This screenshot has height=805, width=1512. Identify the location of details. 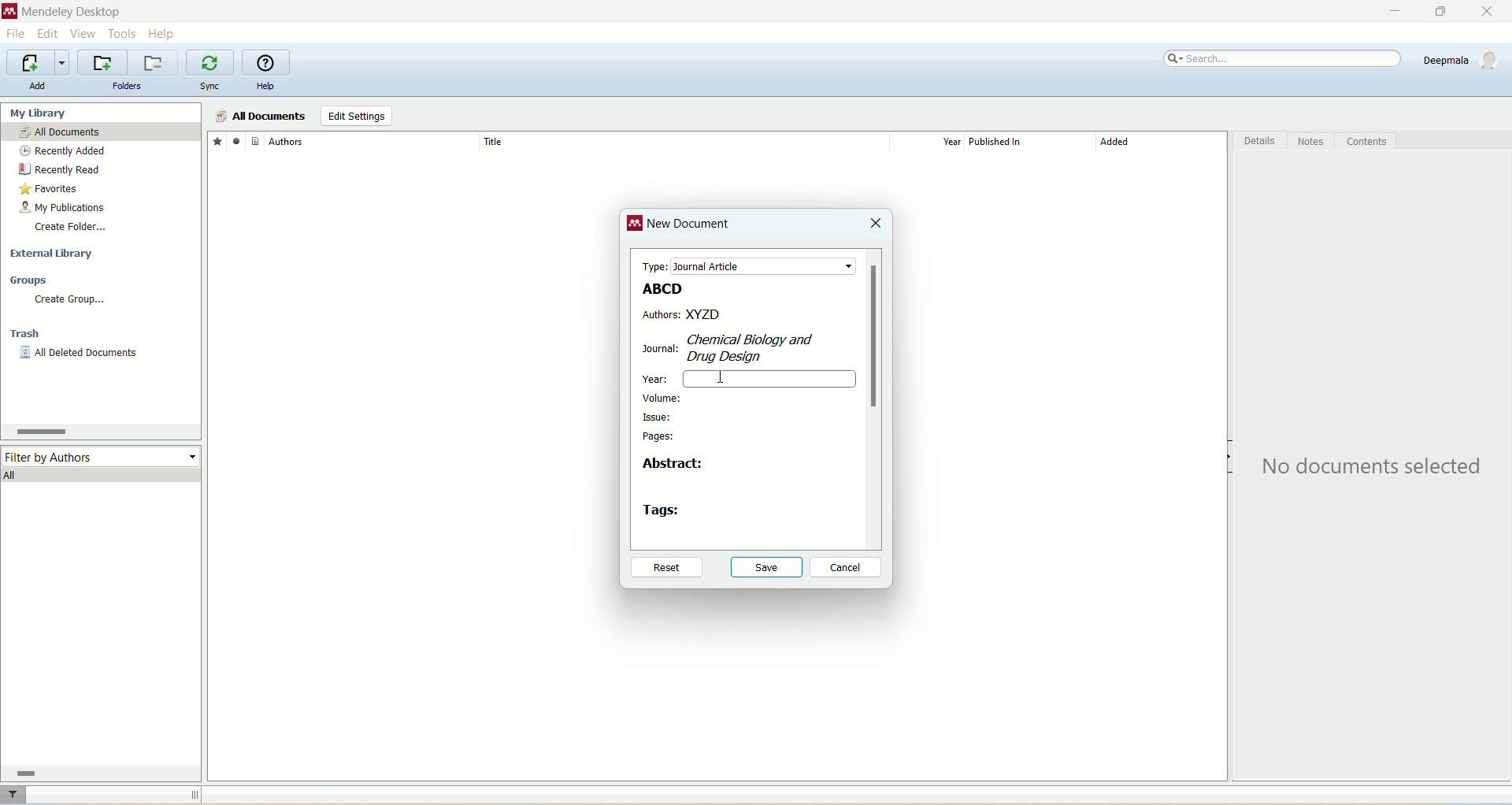
(1261, 143).